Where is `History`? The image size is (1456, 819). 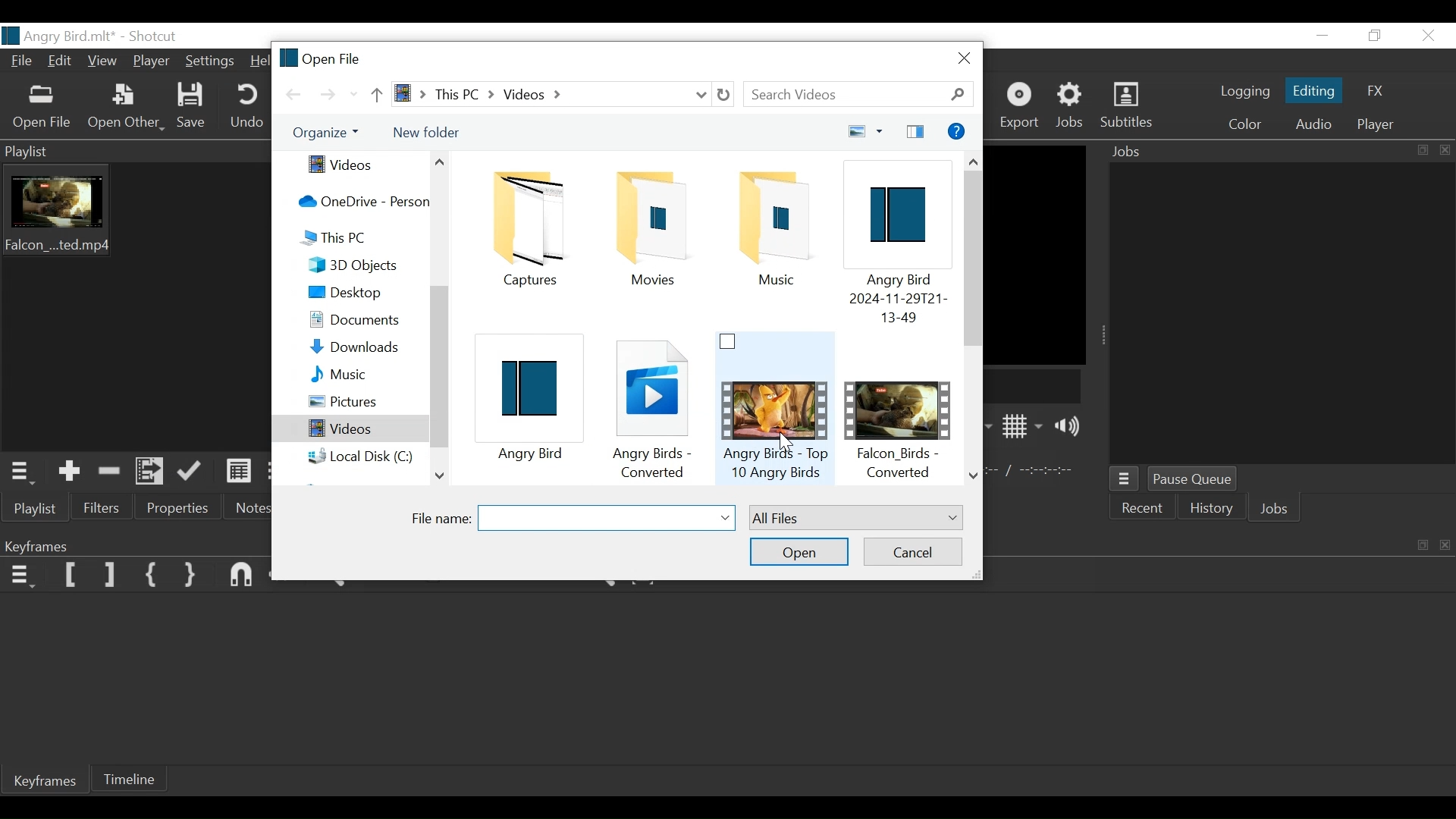
History is located at coordinates (1211, 507).